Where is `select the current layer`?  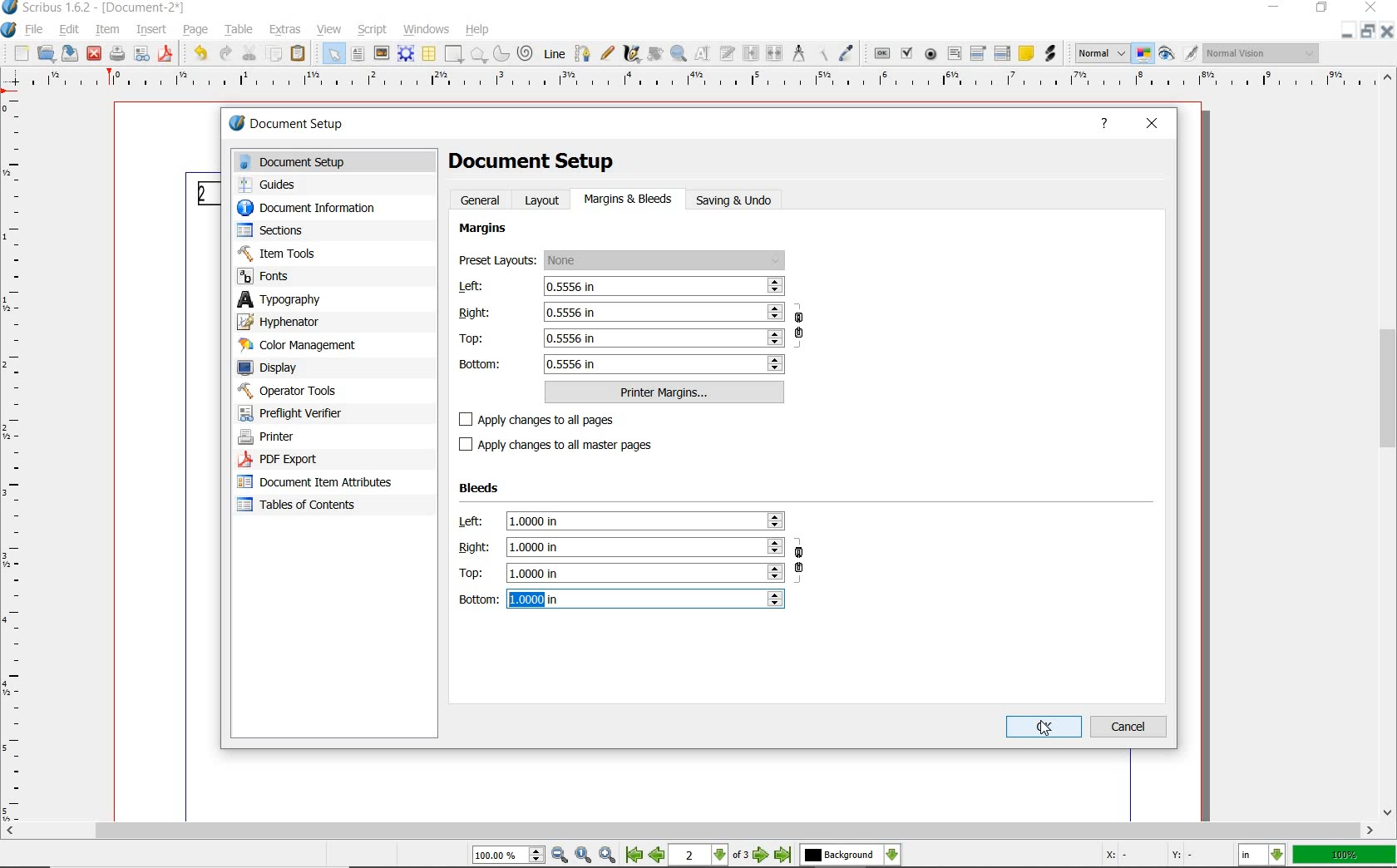 select the current layer is located at coordinates (850, 856).